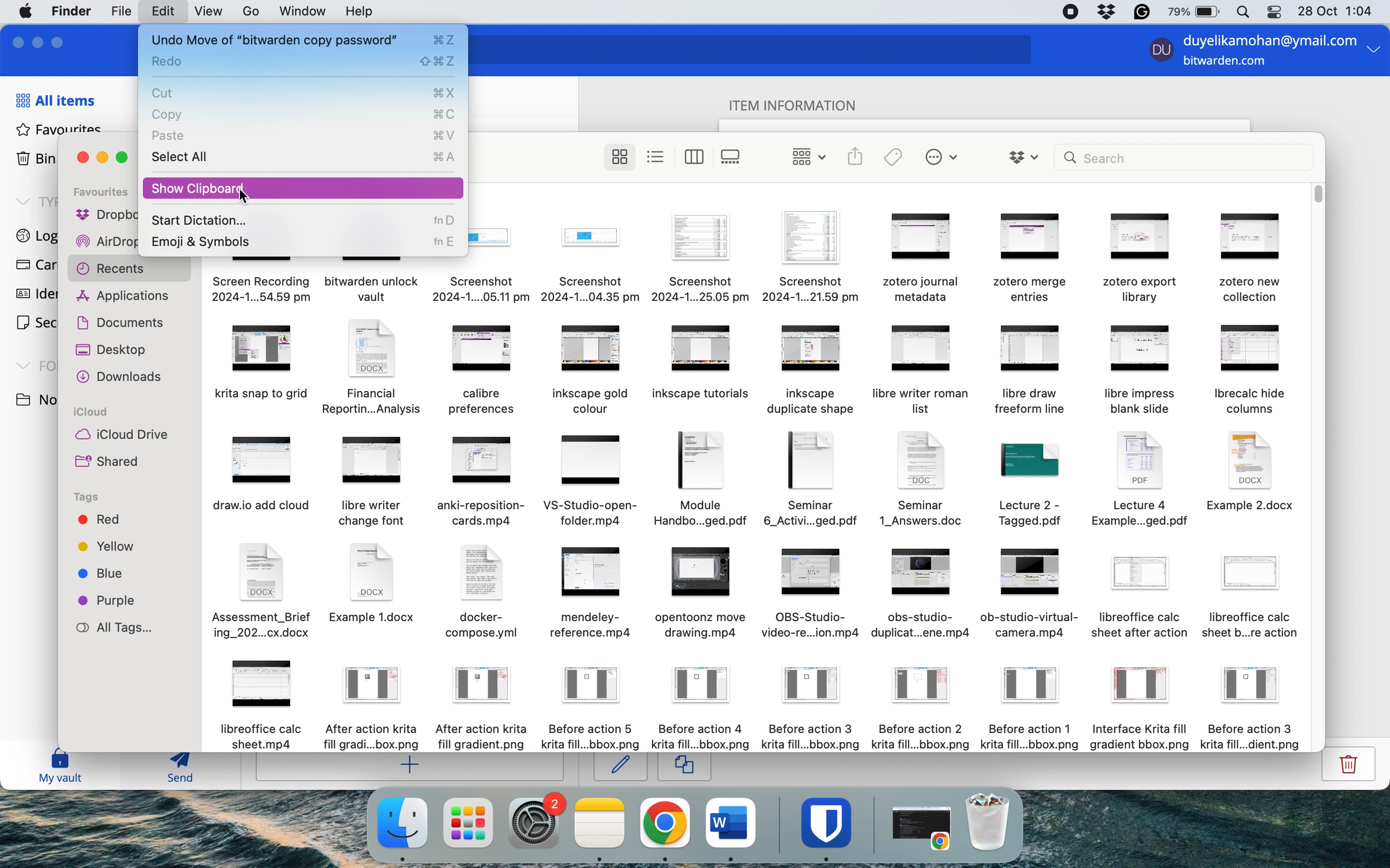  Describe the element at coordinates (121, 436) in the screenshot. I see `icloud drive` at that location.